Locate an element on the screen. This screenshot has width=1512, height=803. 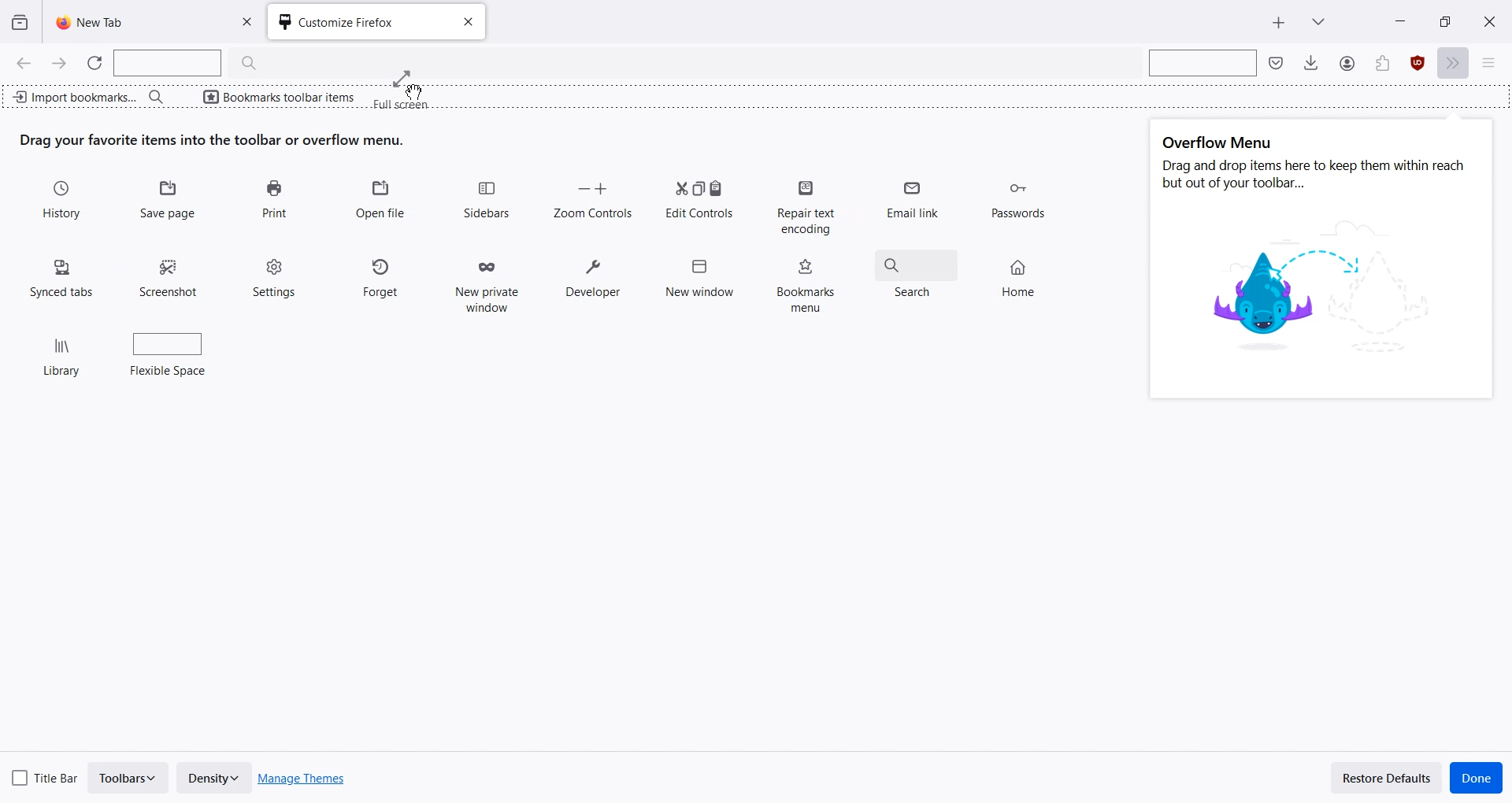
Downloads is located at coordinates (1311, 62).